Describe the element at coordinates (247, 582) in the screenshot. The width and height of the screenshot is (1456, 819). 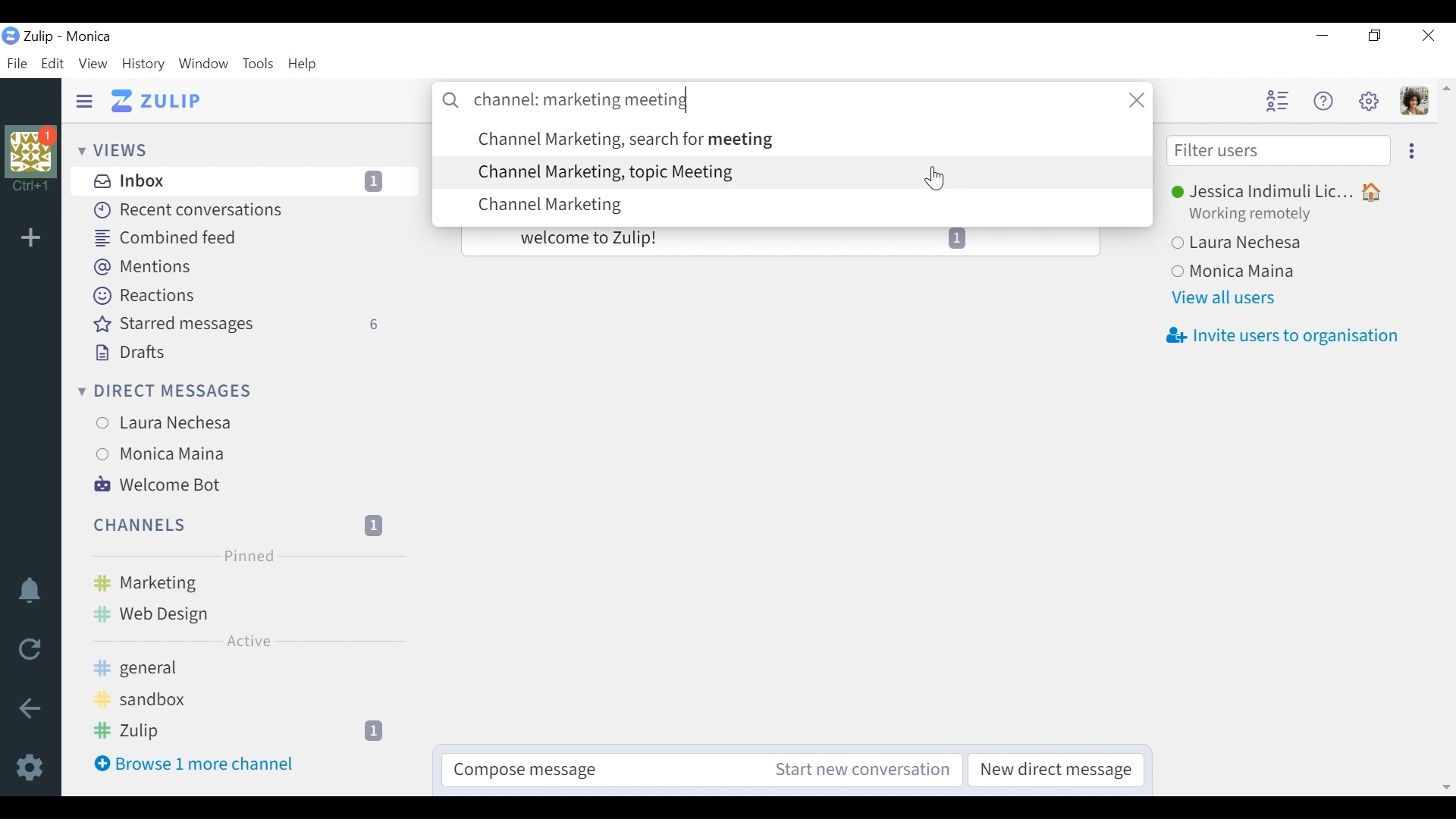
I see `Marketing` at that location.